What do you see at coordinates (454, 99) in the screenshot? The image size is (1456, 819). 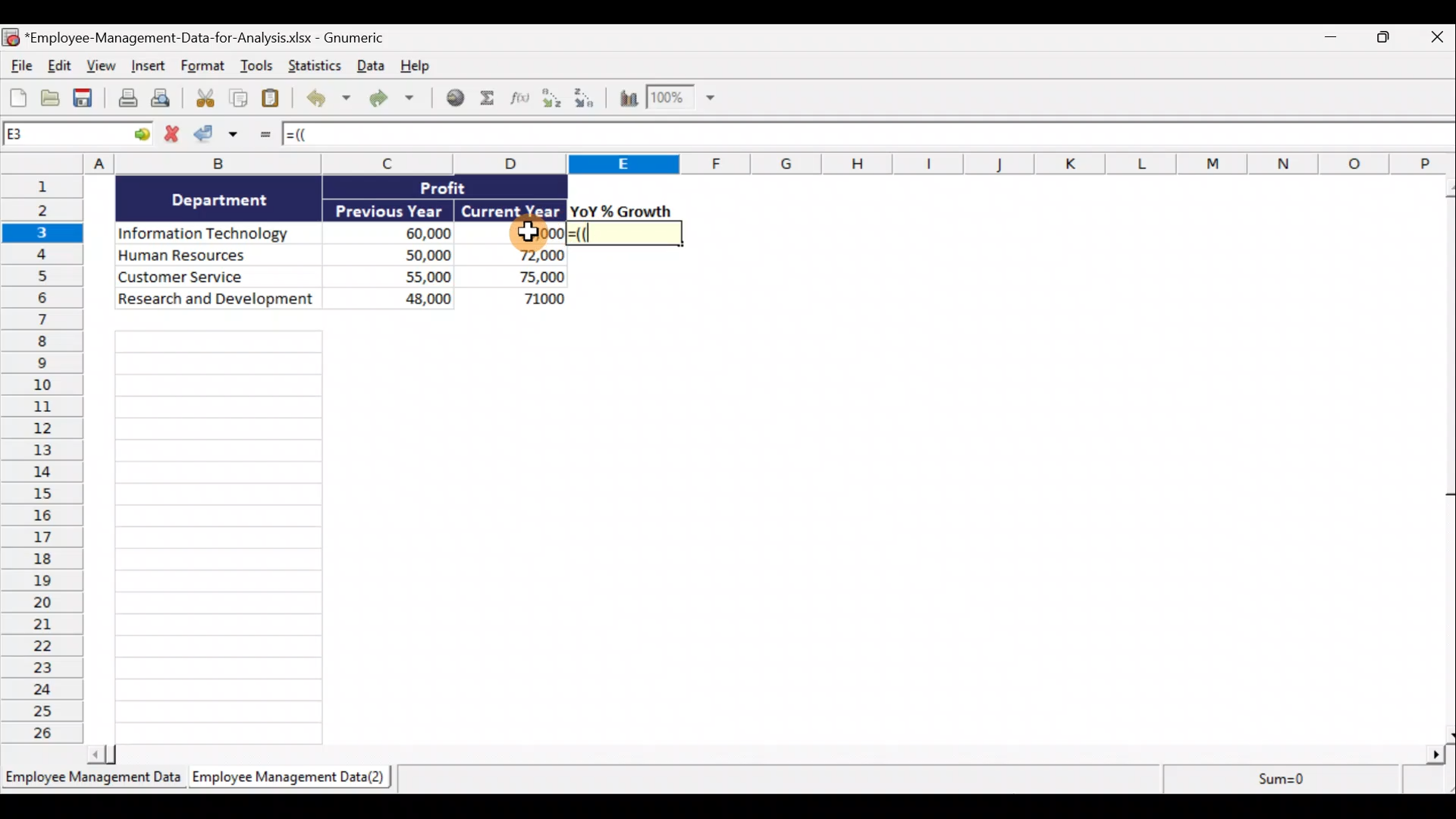 I see `Insert hyperlink` at bounding box center [454, 99].